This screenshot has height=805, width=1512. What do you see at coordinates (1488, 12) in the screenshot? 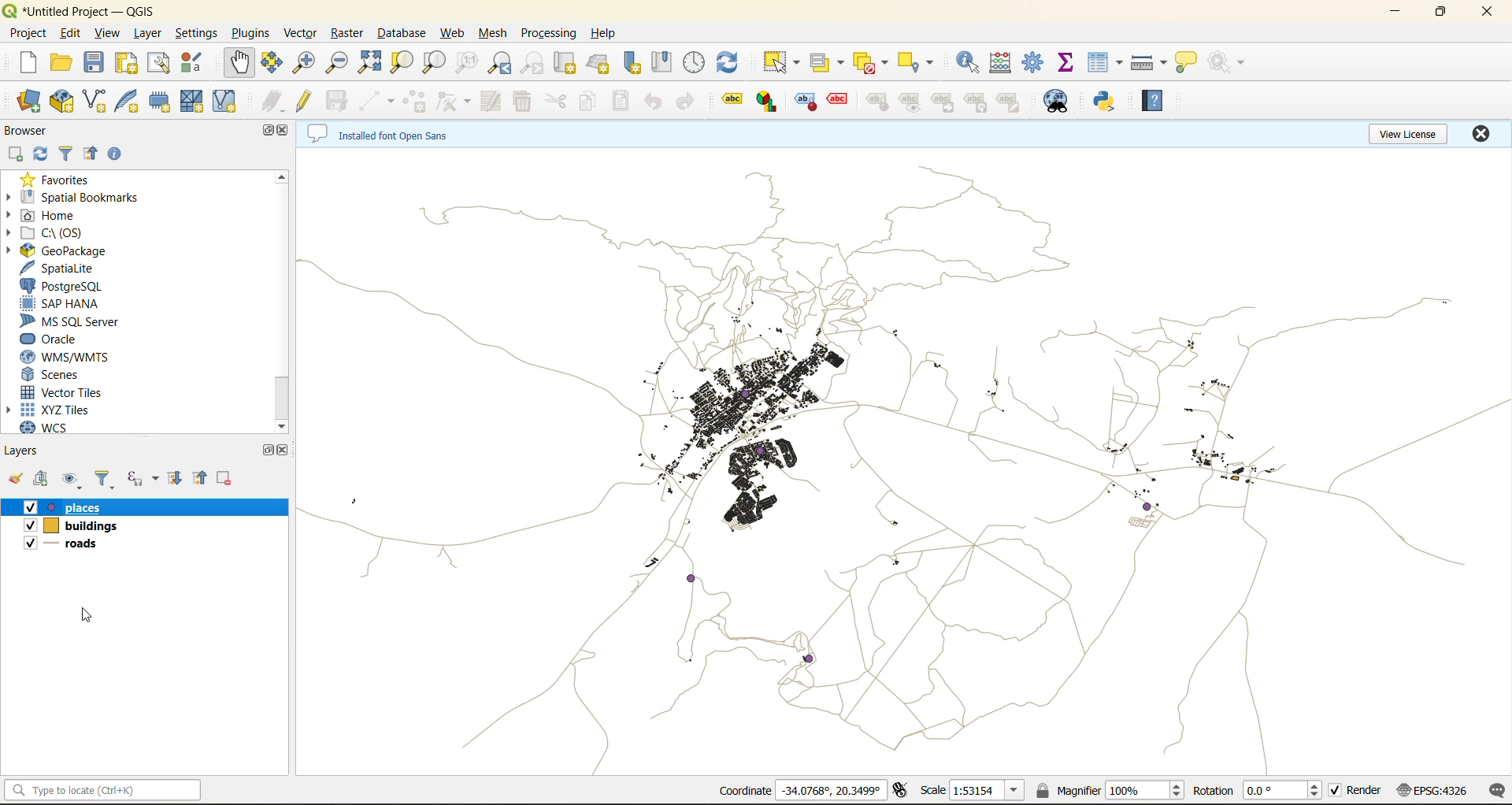
I see `close` at bounding box center [1488, 12].